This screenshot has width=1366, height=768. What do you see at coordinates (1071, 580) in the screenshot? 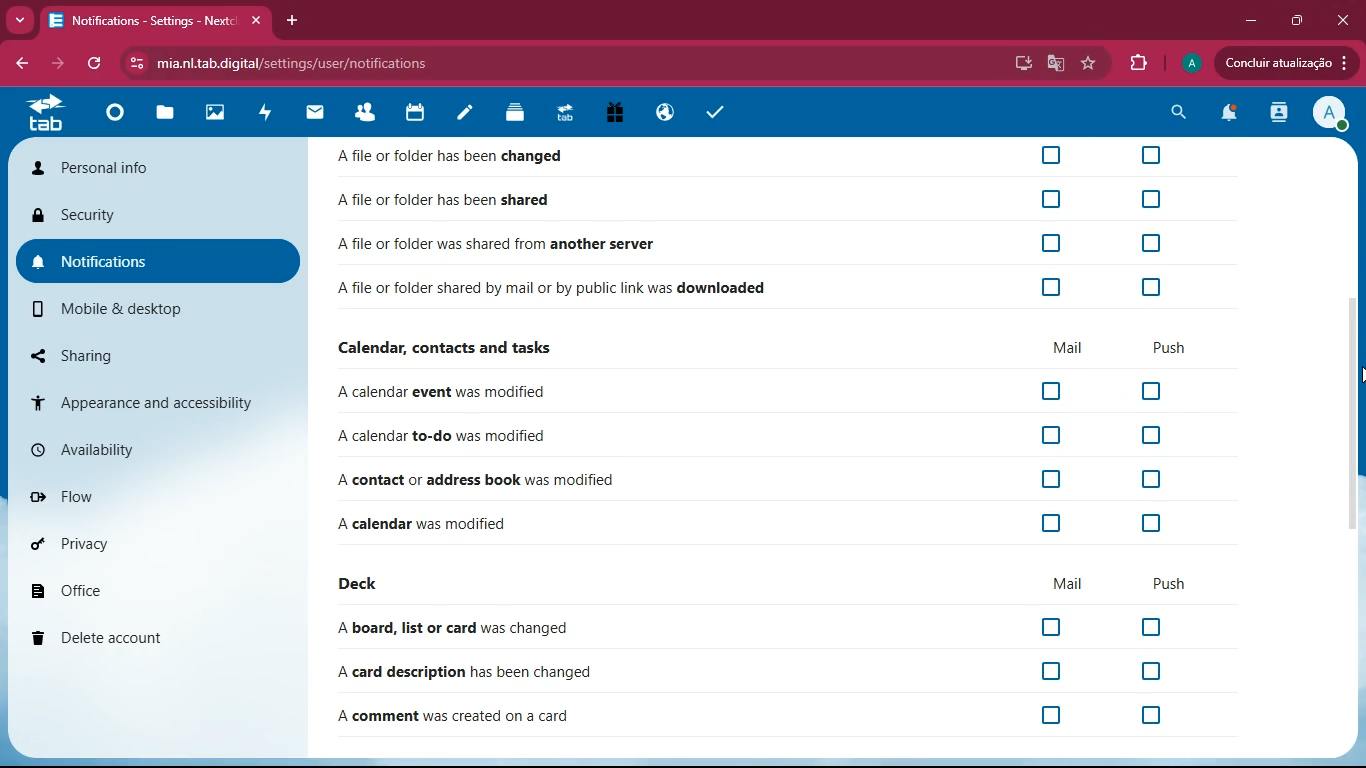
I see `mail` at bounding box center [1071, 580].